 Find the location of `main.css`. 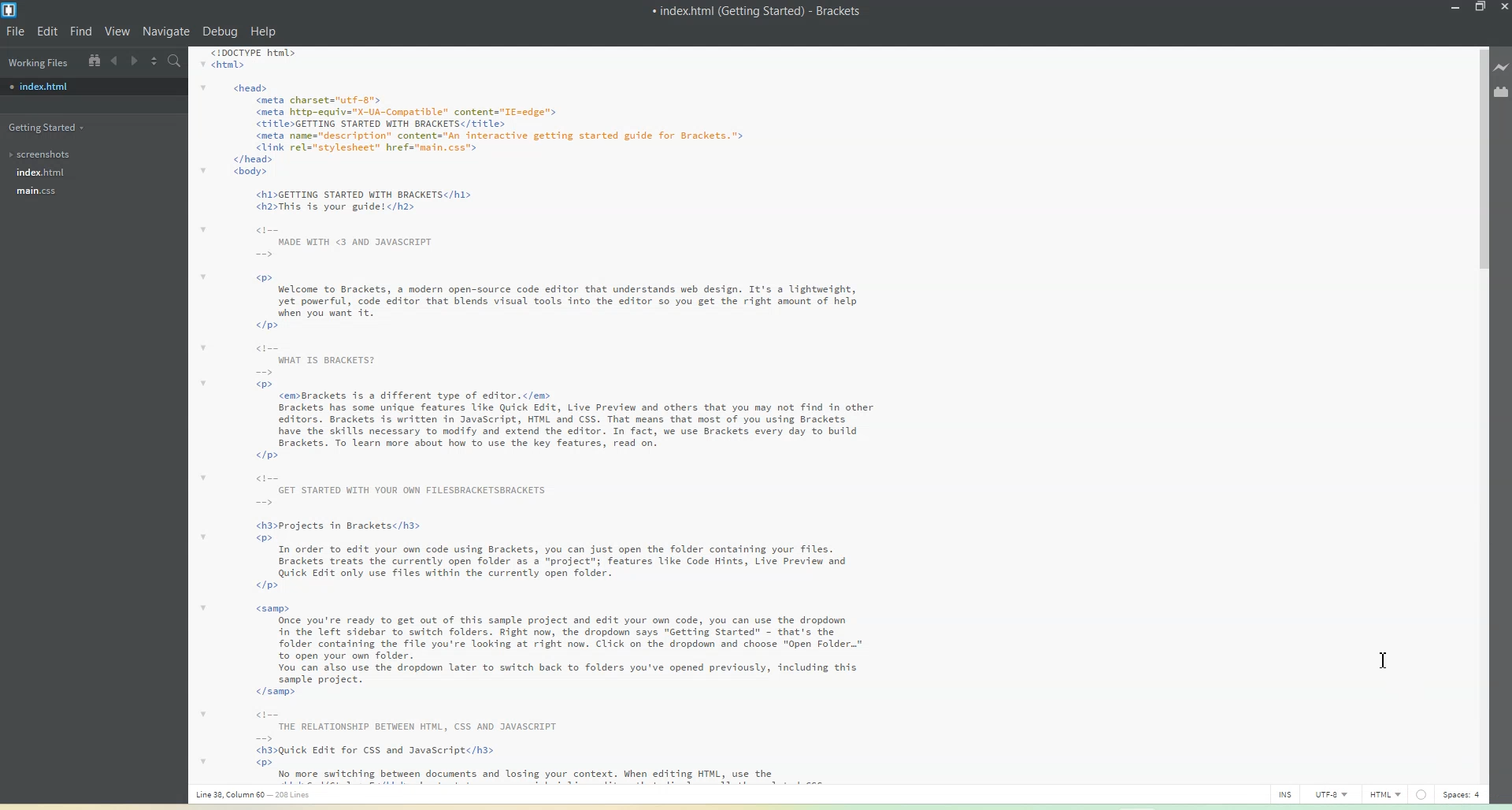

main.css is located at coordinates (37, 191).